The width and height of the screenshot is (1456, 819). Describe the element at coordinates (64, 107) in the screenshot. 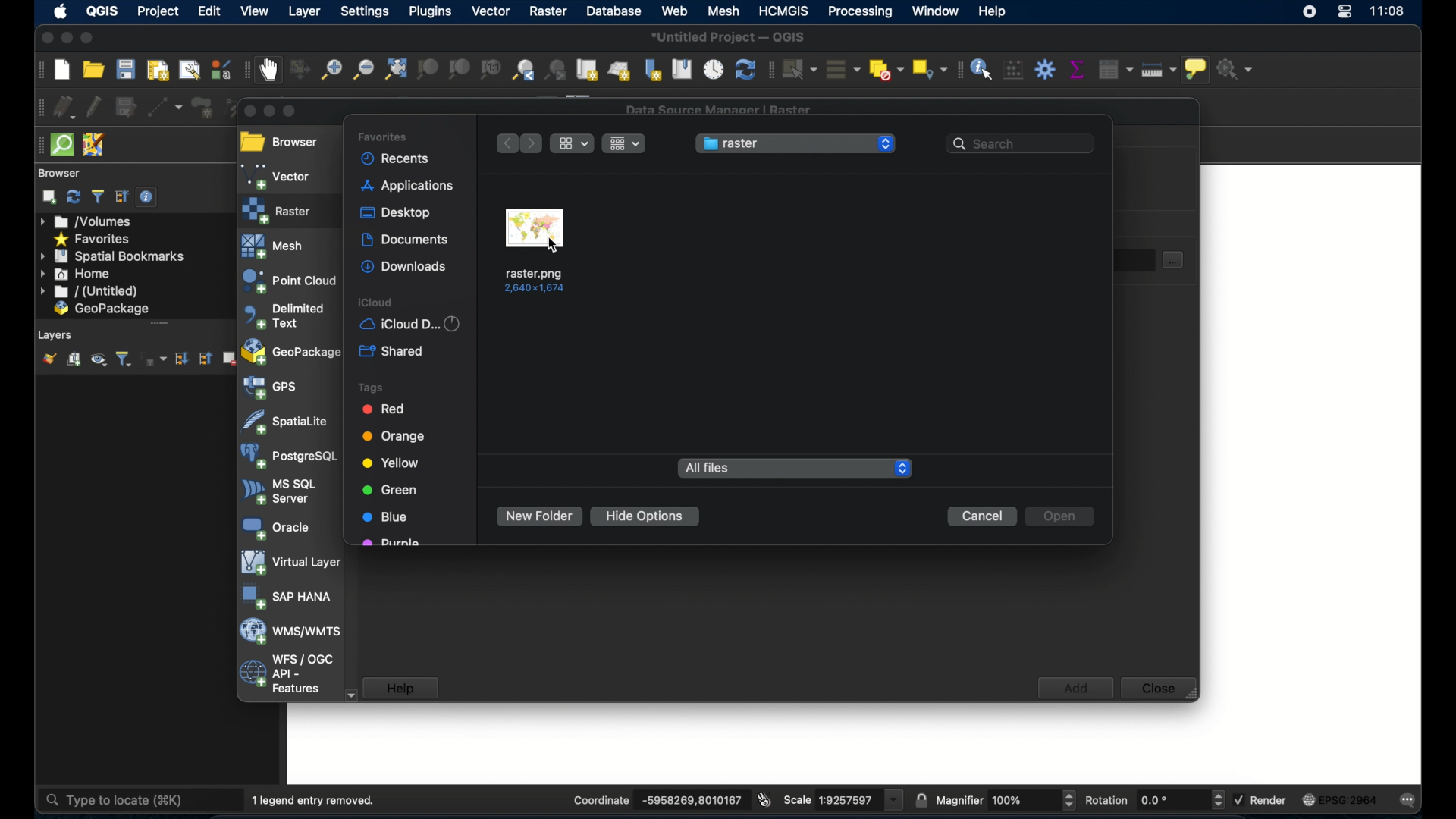

I see `current edits` at that location.